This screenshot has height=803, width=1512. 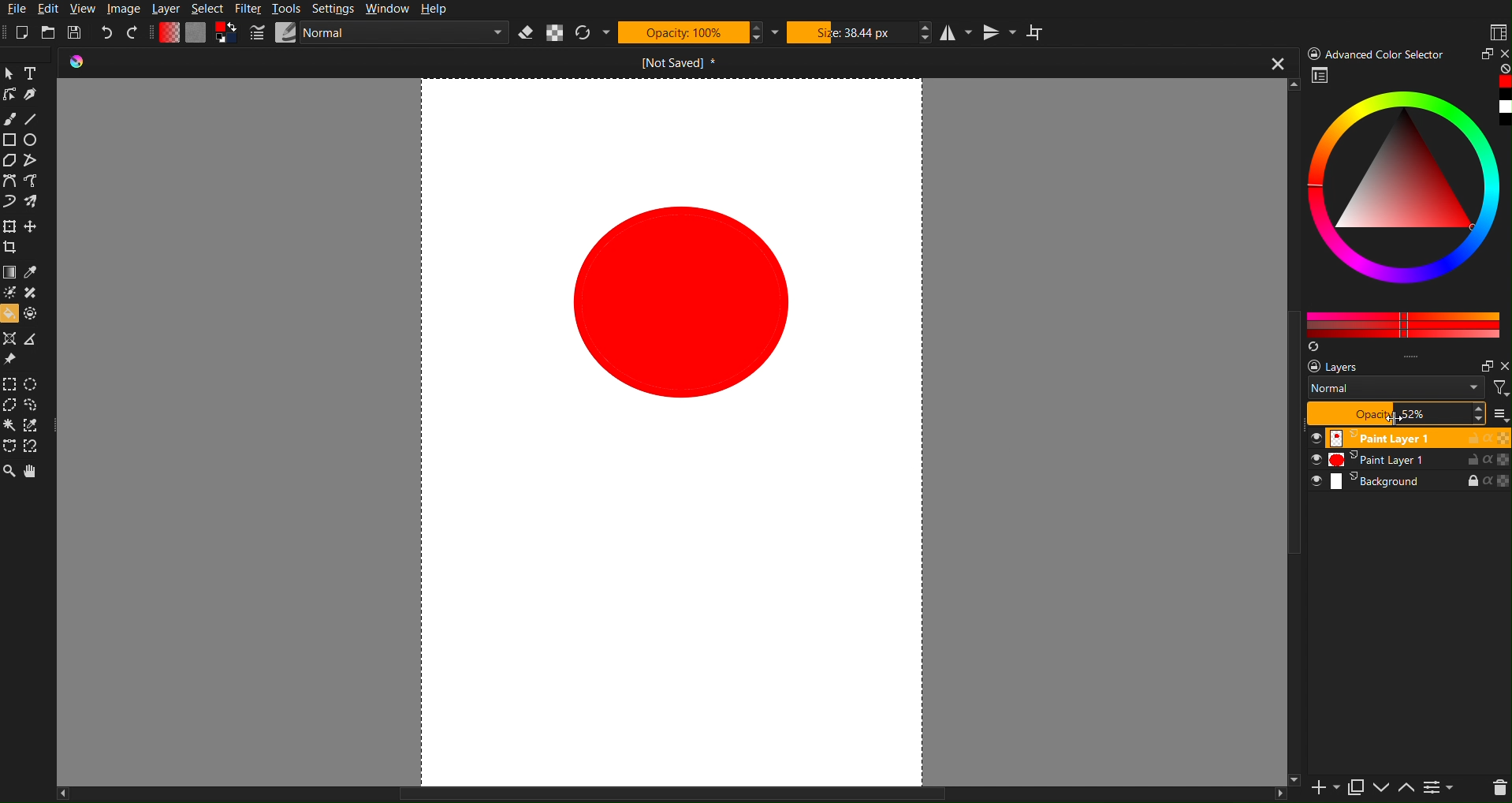 What do you see at coordinates (1409, 192) in the screenshot?
I see `Color picker` at bounding box center [1409, 192].